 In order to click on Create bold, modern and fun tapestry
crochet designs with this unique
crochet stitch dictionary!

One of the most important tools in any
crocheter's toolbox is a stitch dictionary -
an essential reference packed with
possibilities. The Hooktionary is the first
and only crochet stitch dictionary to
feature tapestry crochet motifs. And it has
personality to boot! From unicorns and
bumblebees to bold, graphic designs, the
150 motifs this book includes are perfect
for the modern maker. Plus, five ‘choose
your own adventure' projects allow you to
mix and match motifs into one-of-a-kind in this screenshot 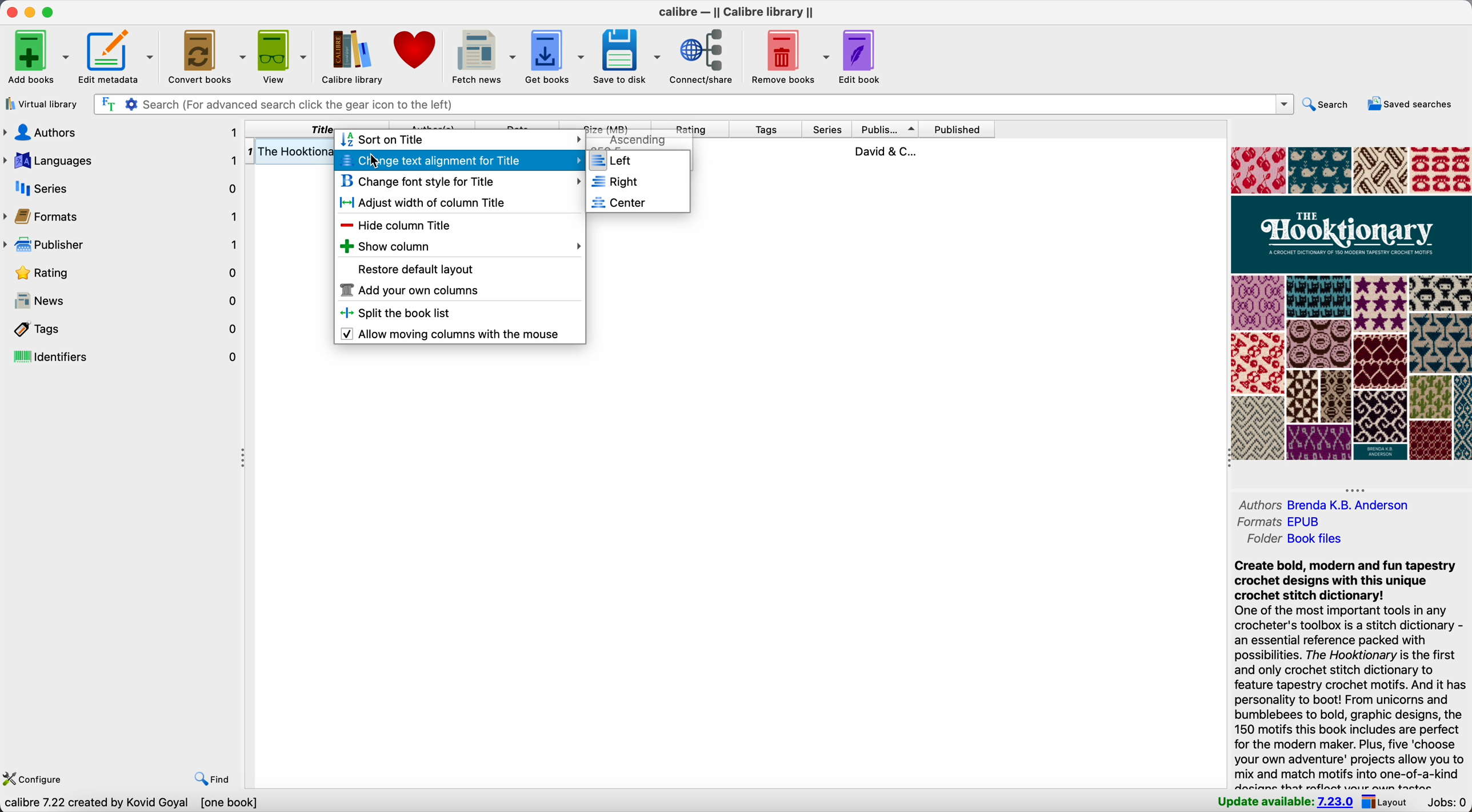, I will do `click(1350, 670)`.